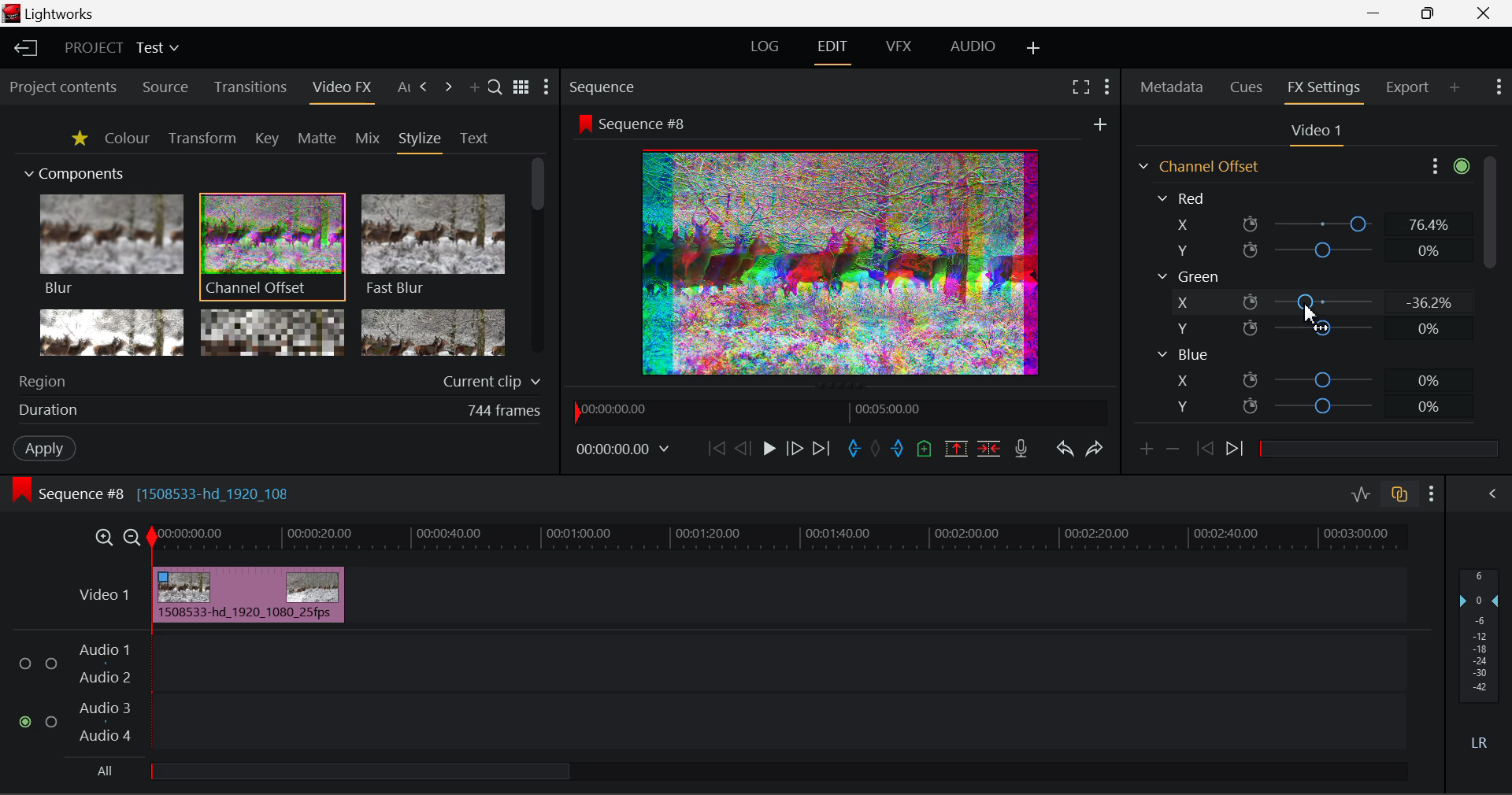 The image size is (1512, 795). I want to click on Scroll Bar, so click(1489, 294).